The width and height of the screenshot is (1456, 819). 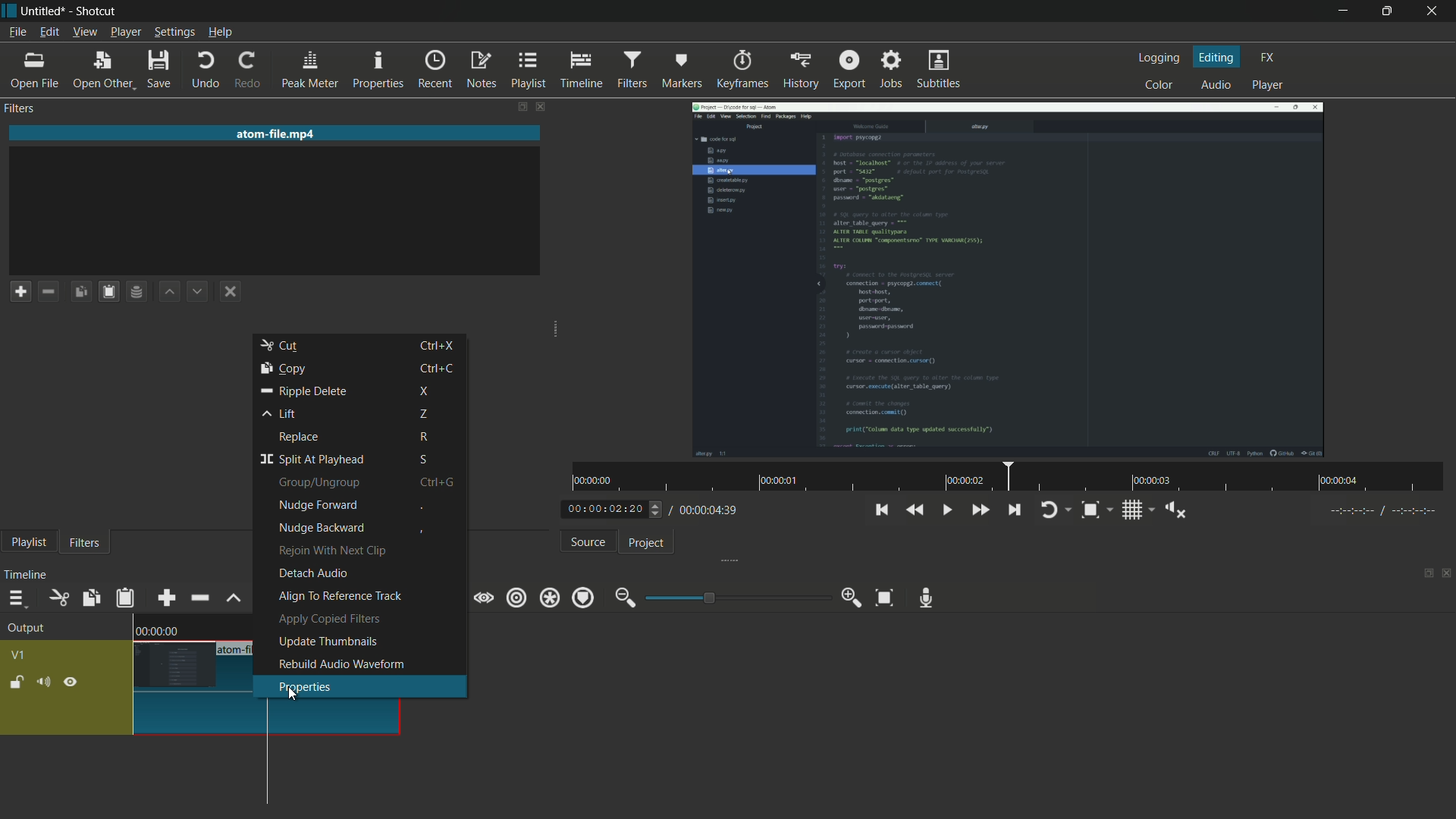 I want to click on hide, so click(x=72, y=681).